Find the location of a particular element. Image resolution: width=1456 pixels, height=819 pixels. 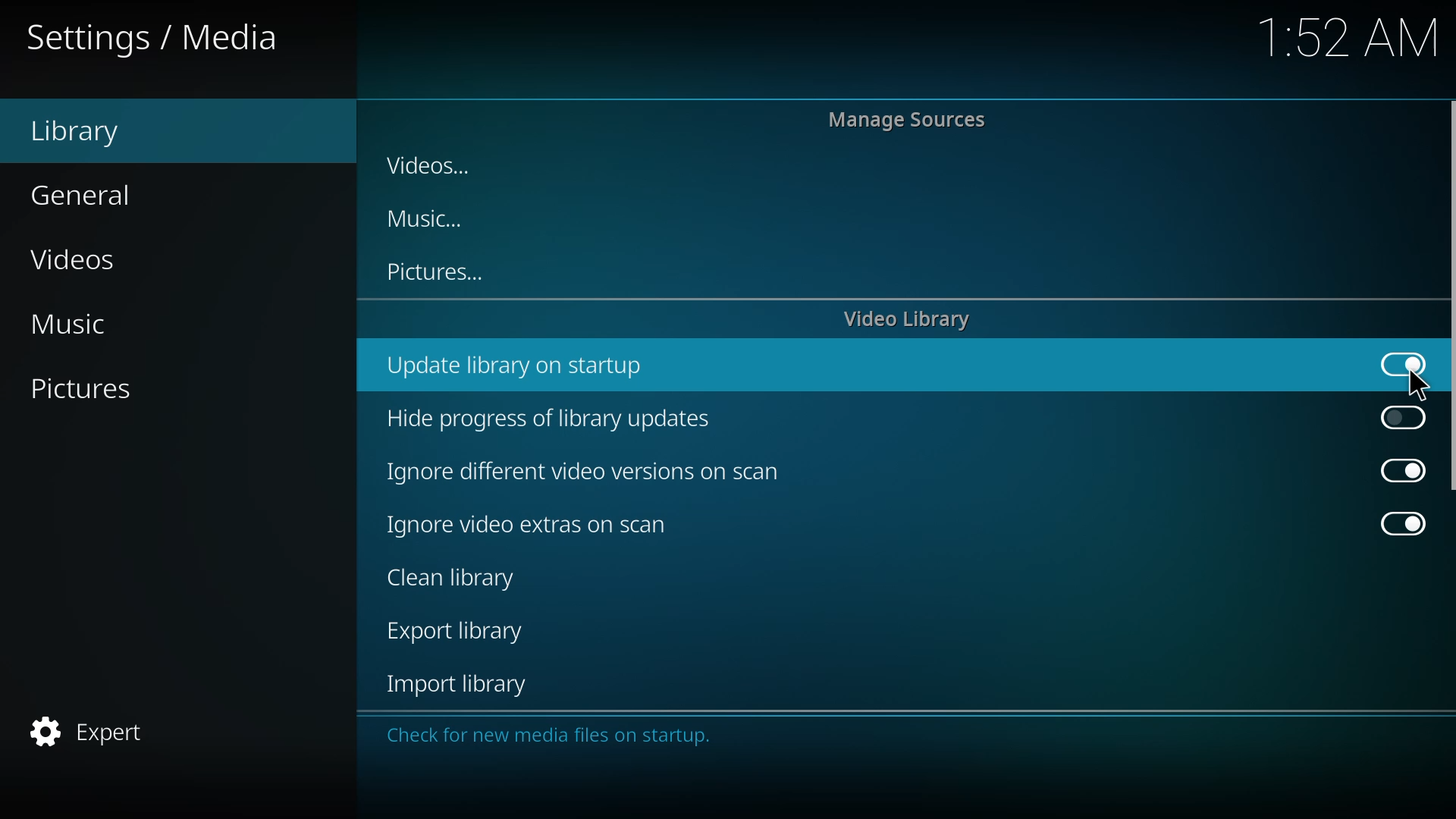

pictures is located at coordinates (438, 272).